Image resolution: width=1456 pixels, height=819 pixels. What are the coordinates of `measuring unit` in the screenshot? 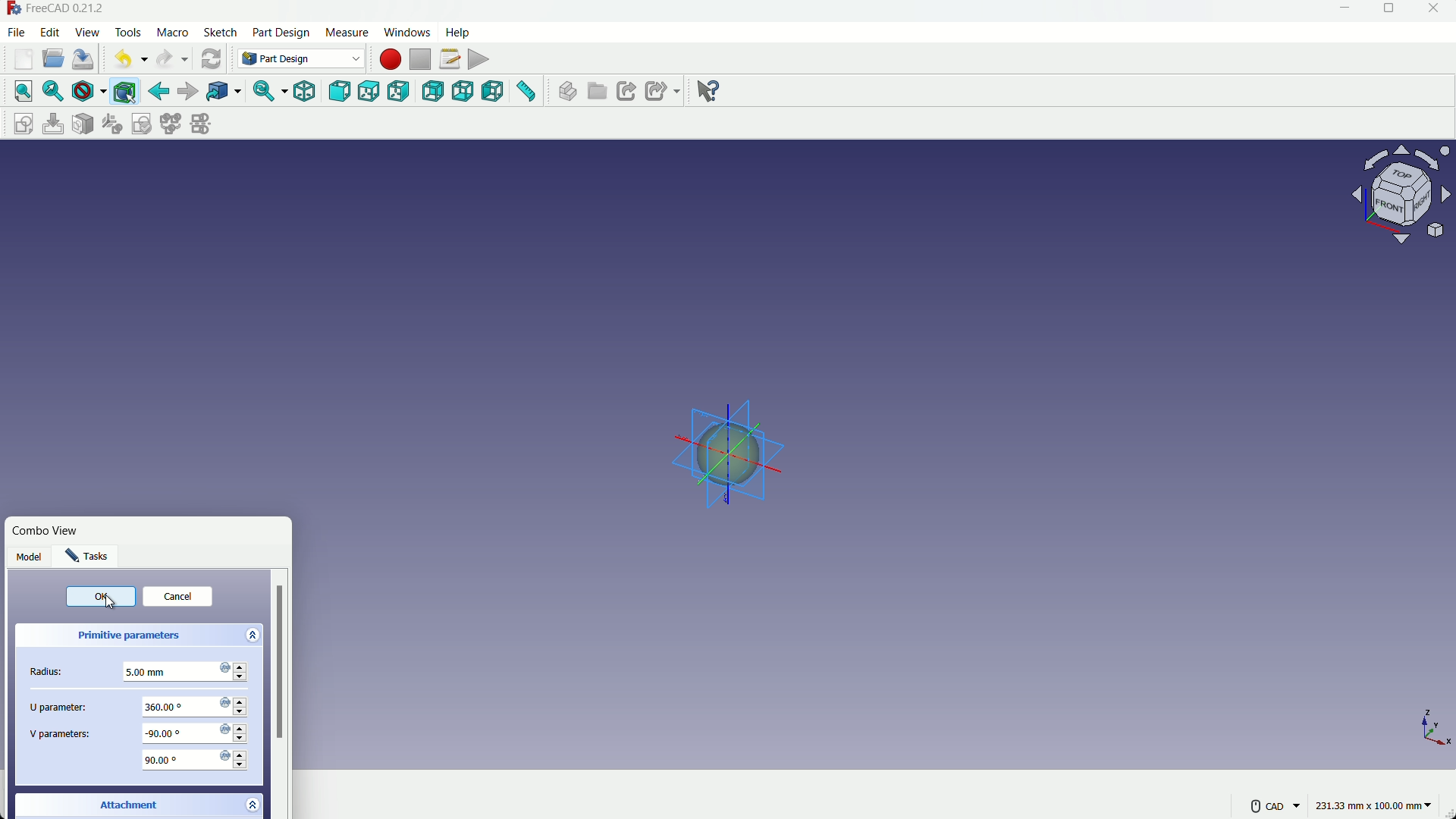 It's located at (1376, 804).